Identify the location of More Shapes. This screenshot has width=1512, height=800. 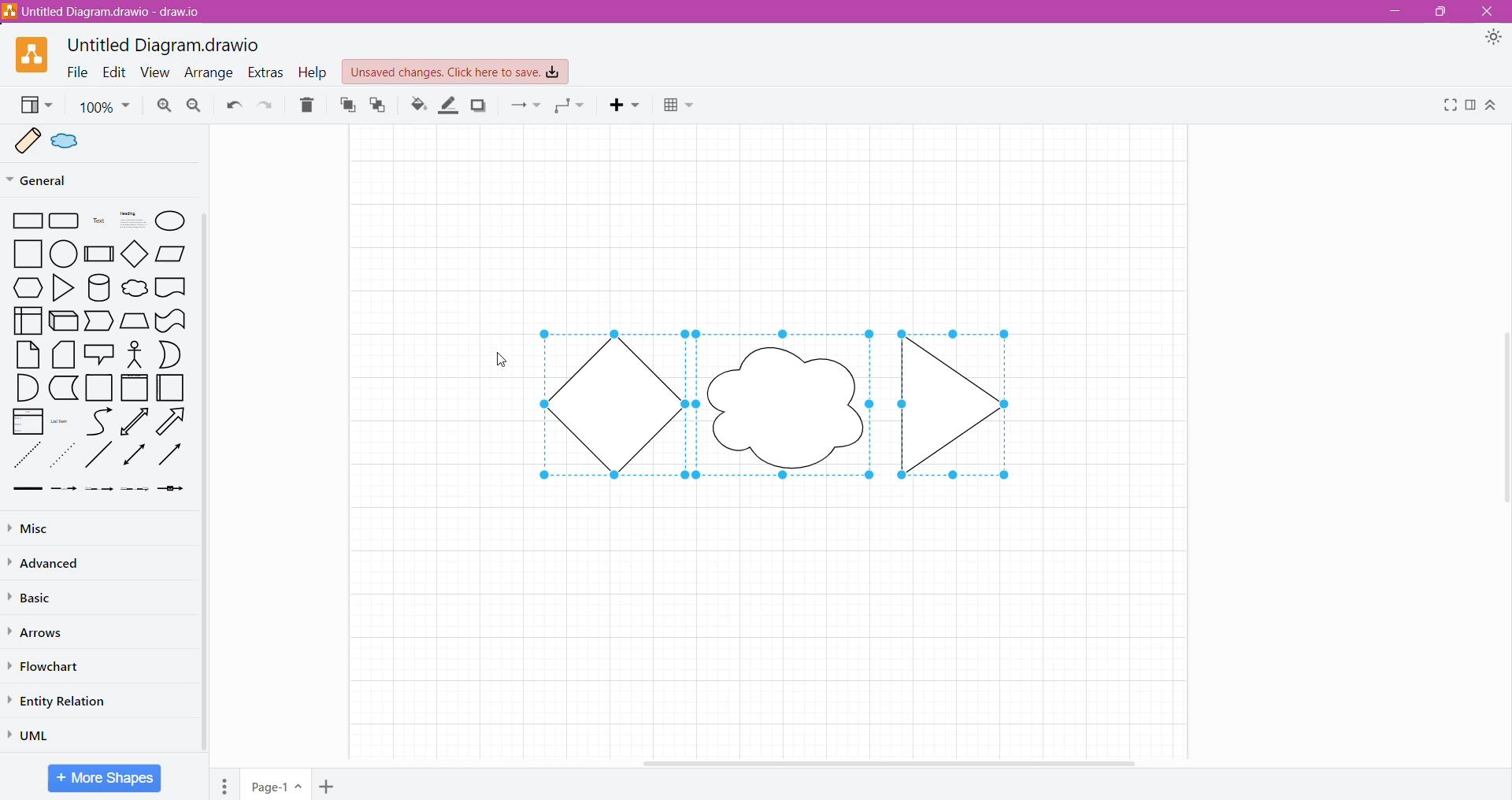
(104, 778).